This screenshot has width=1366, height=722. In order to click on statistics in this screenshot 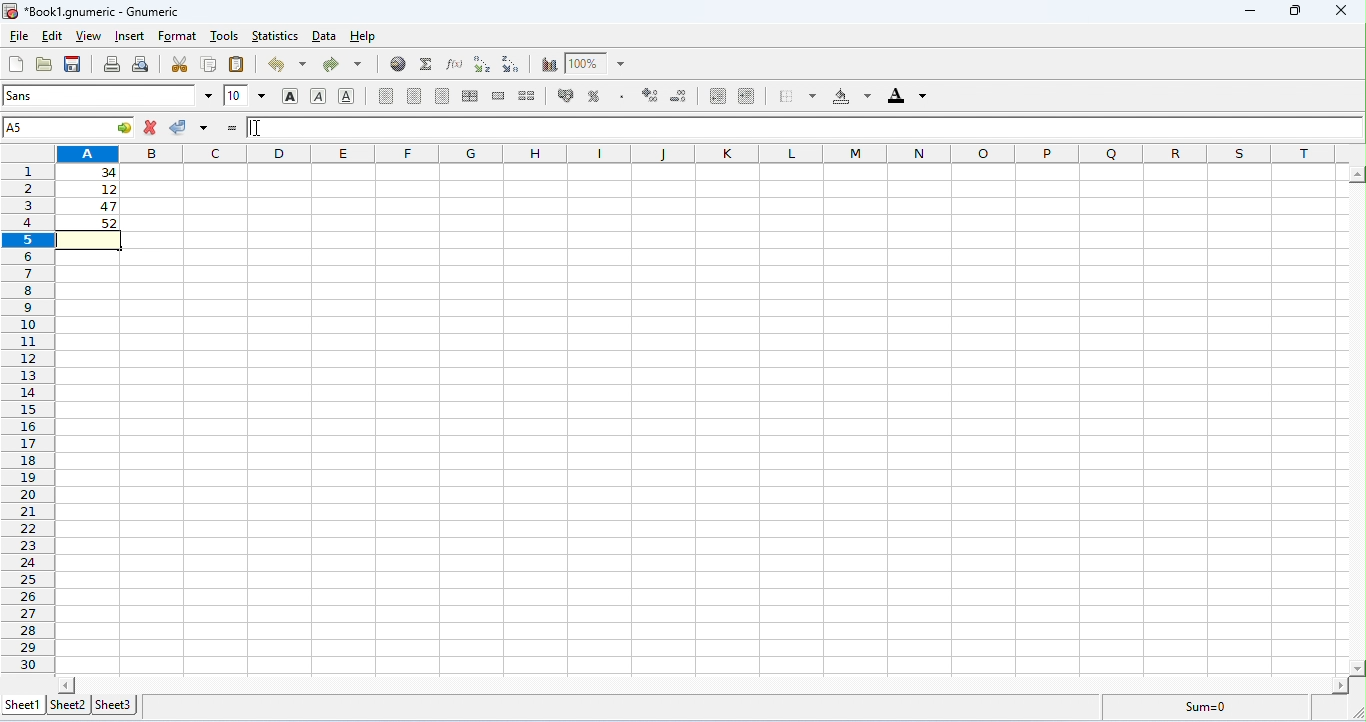, I will do `click(274, 36)`.